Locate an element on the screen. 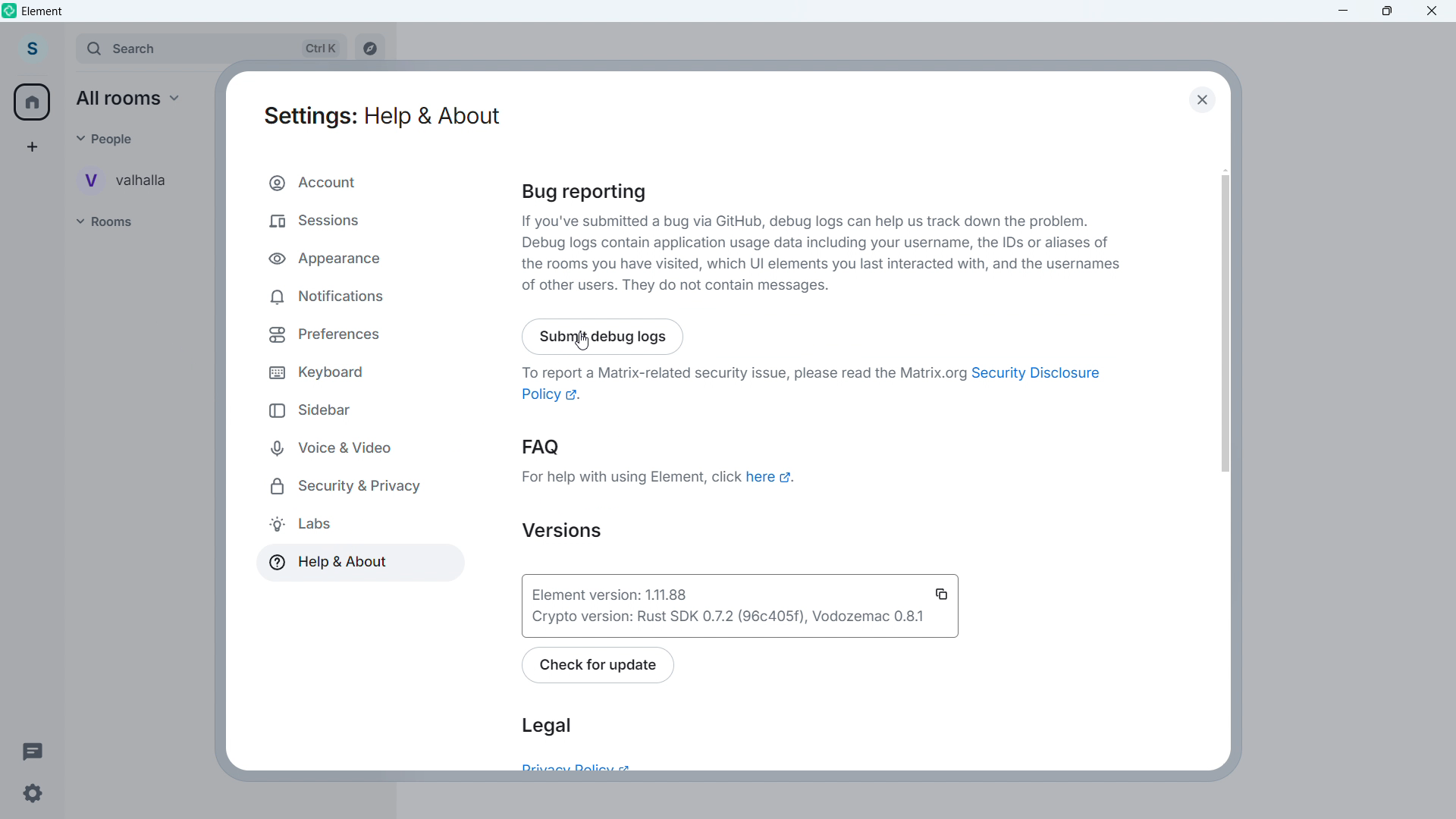  Copy version details is located at coordinates (943, 592).